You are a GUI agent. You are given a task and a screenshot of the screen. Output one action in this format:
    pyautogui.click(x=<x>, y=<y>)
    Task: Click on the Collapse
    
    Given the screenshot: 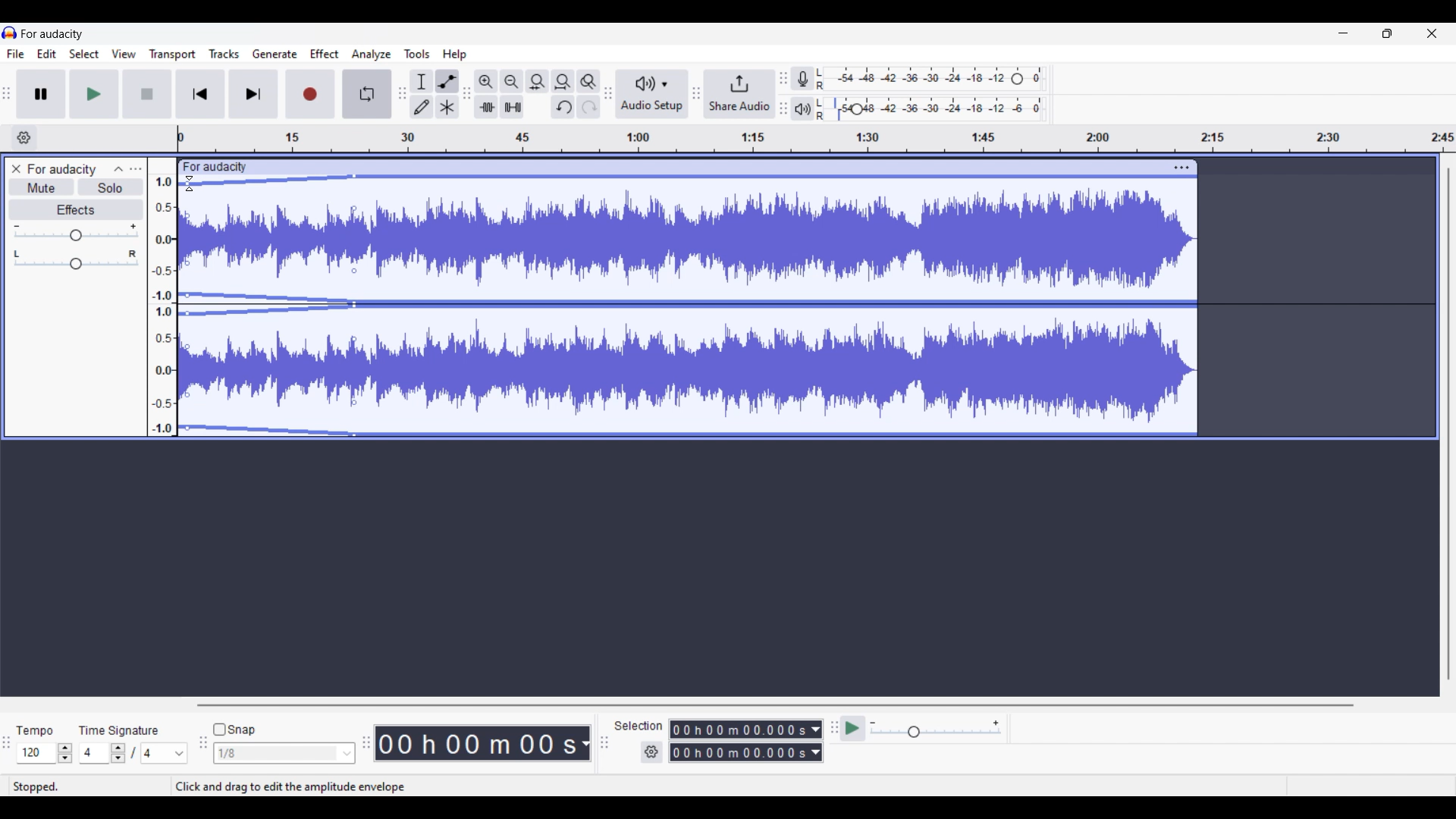 What is the action you would take?
    pyautogui.click(x=119, y=169)
    